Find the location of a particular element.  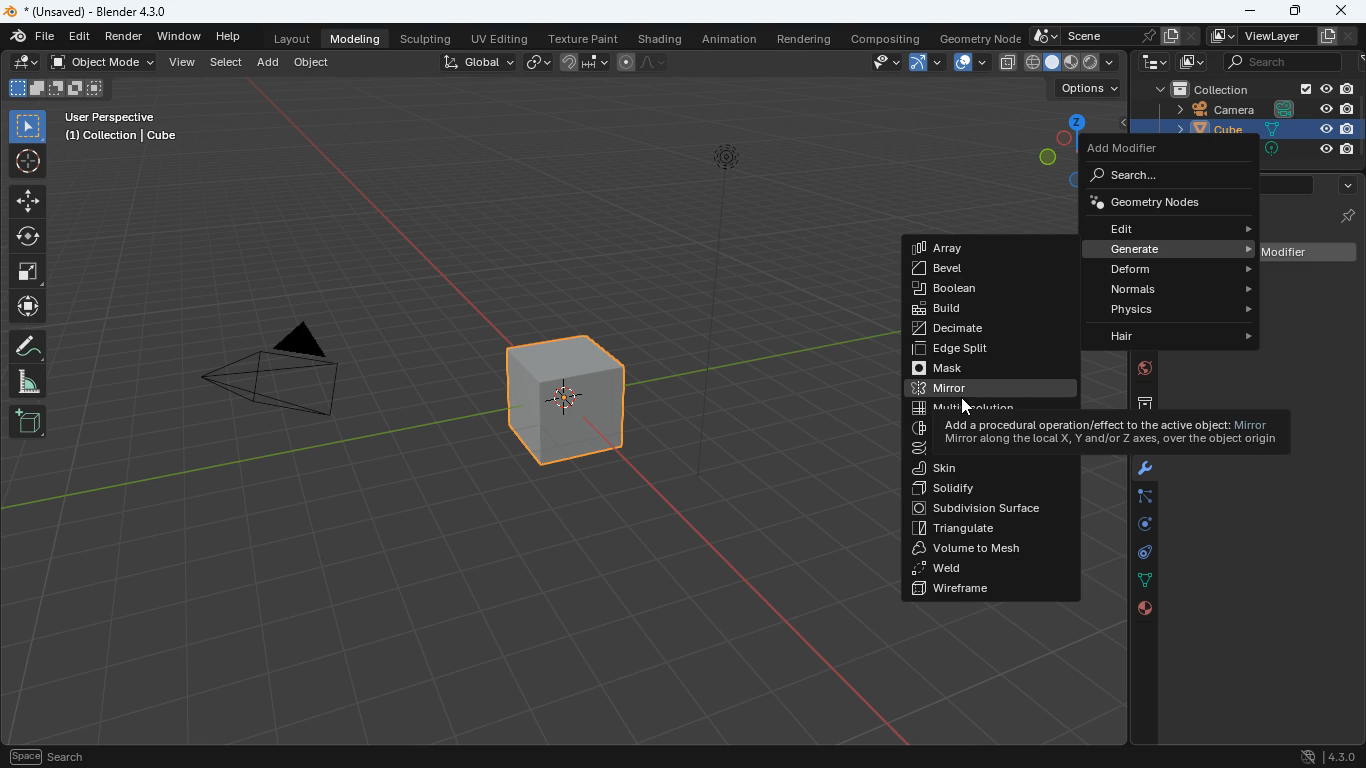

 is located at coordinates (1347, 150).